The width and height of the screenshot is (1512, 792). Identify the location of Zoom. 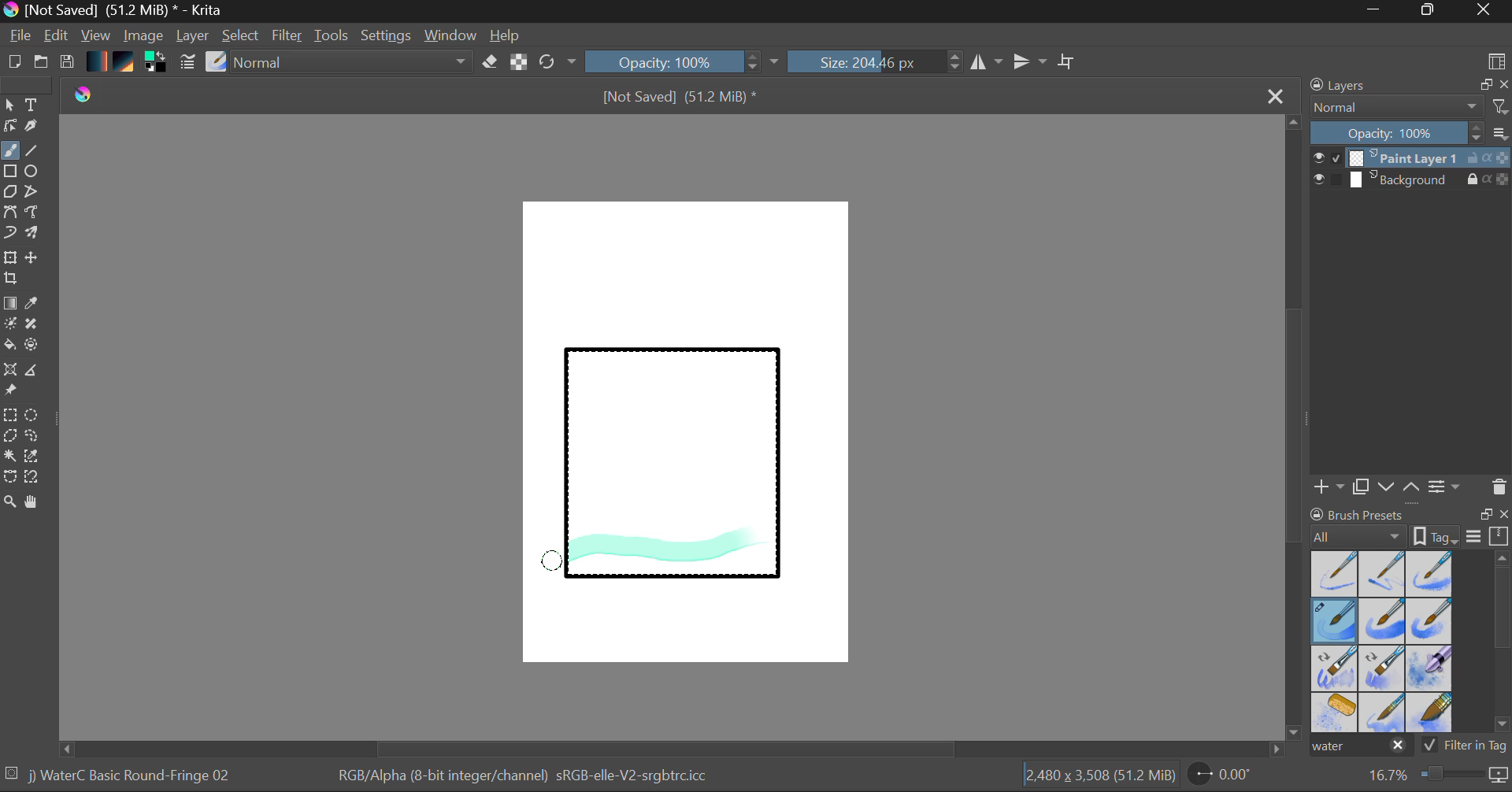
(1436, 775).